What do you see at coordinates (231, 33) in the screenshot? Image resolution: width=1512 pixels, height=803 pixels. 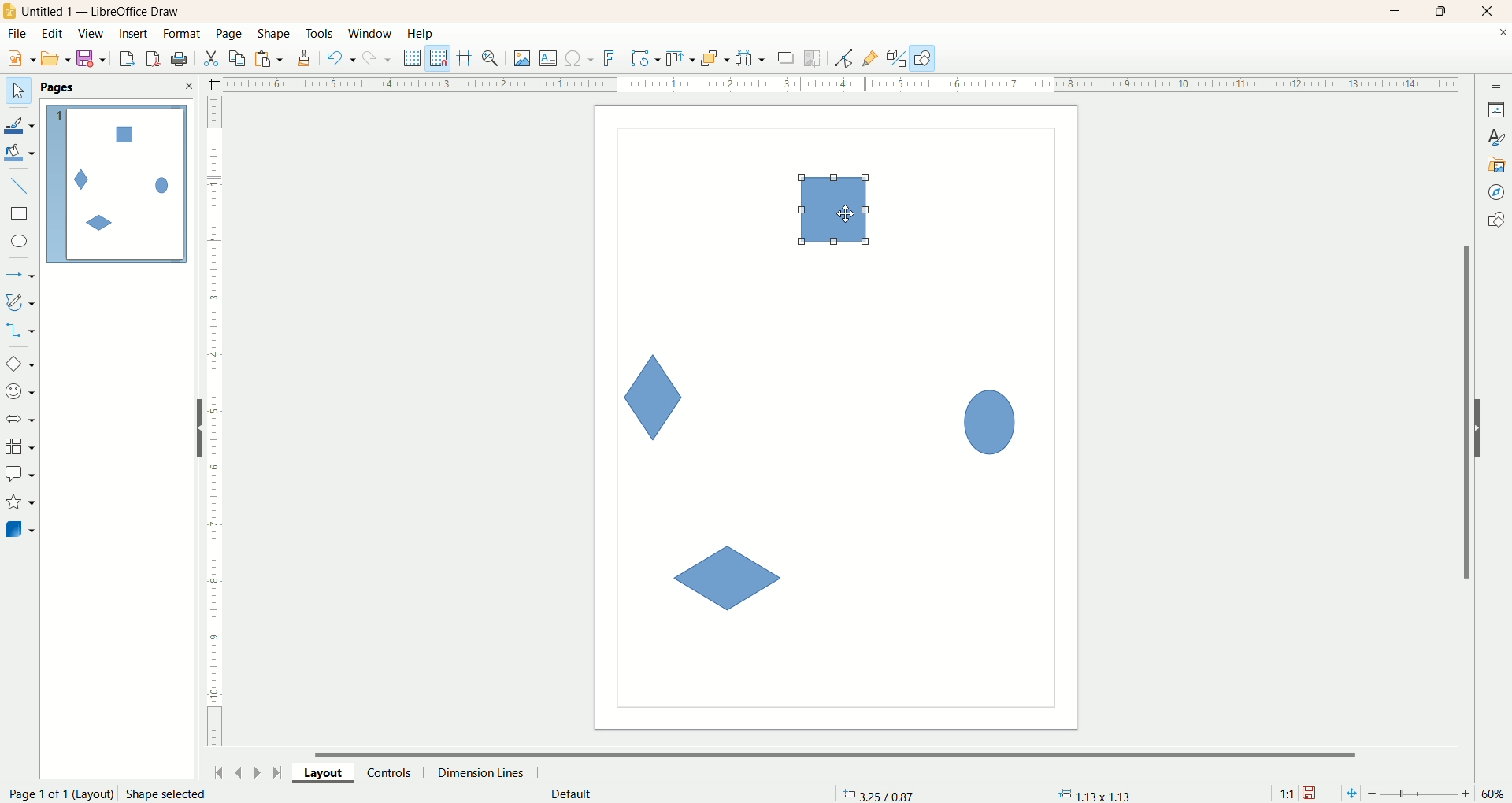 I see `page` at bounding box center [231, 33].